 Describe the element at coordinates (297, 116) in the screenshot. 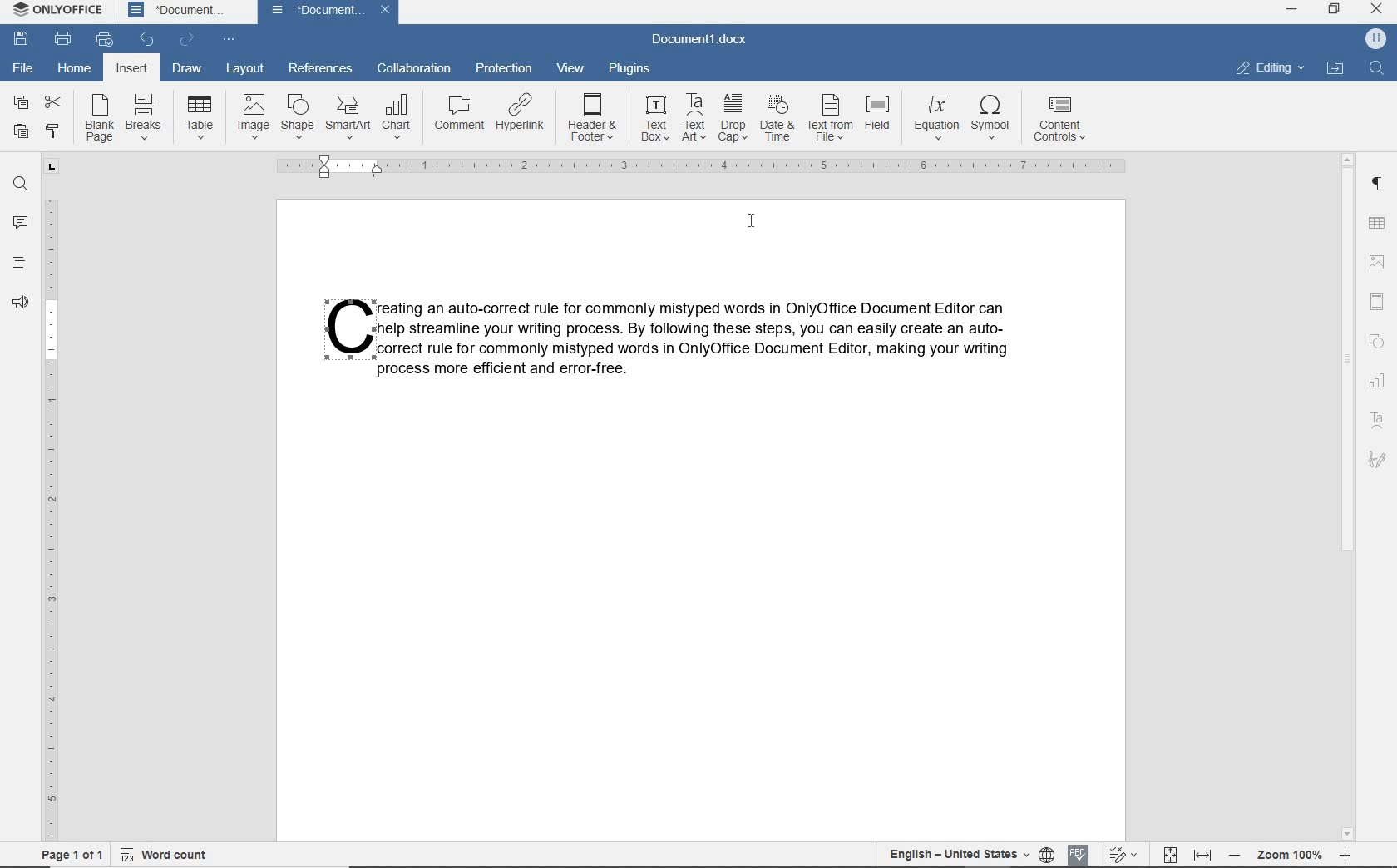

I see `shape` at that location.